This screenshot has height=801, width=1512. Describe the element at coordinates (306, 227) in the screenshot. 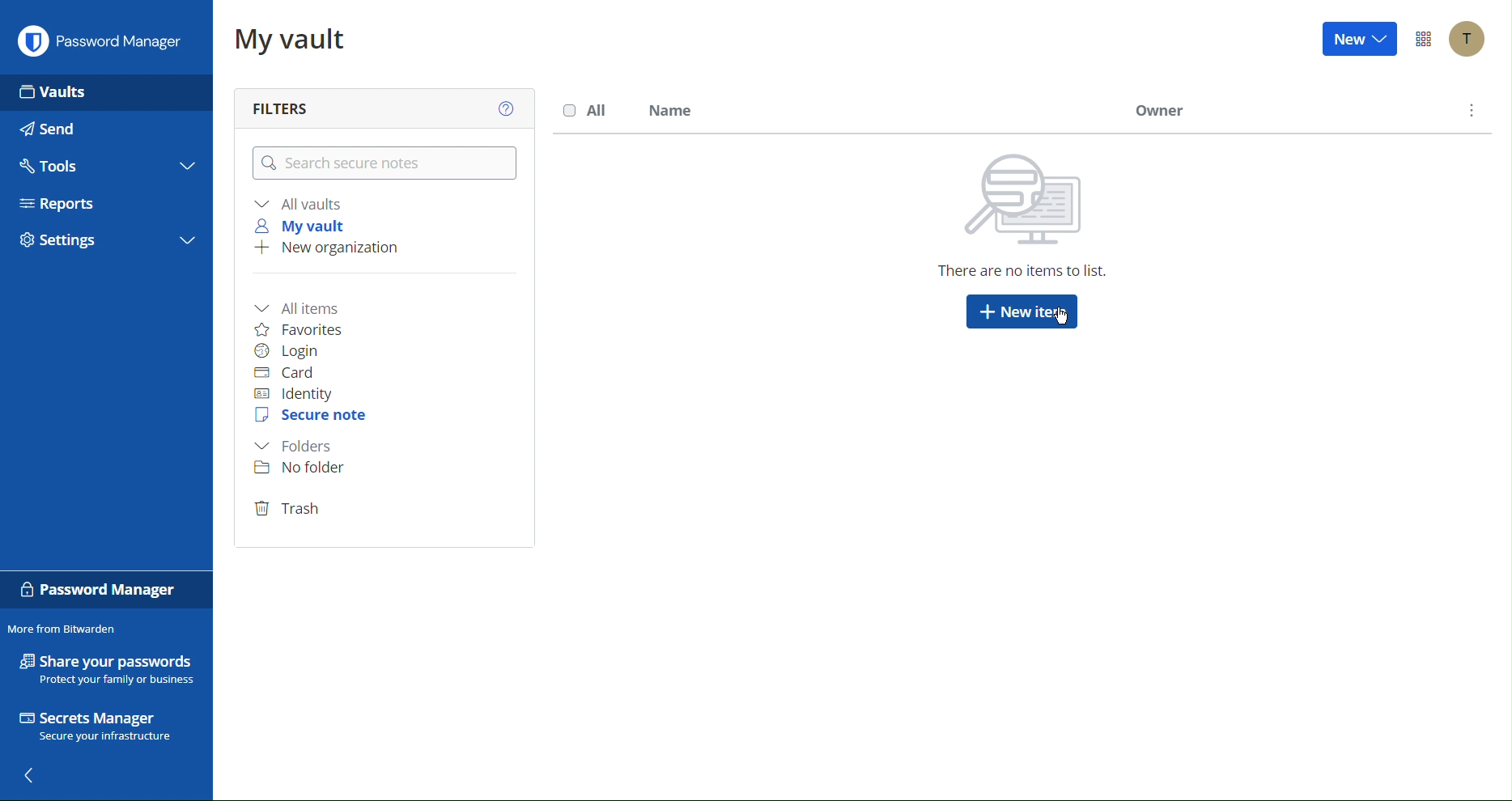

I see `My vault` at that location.